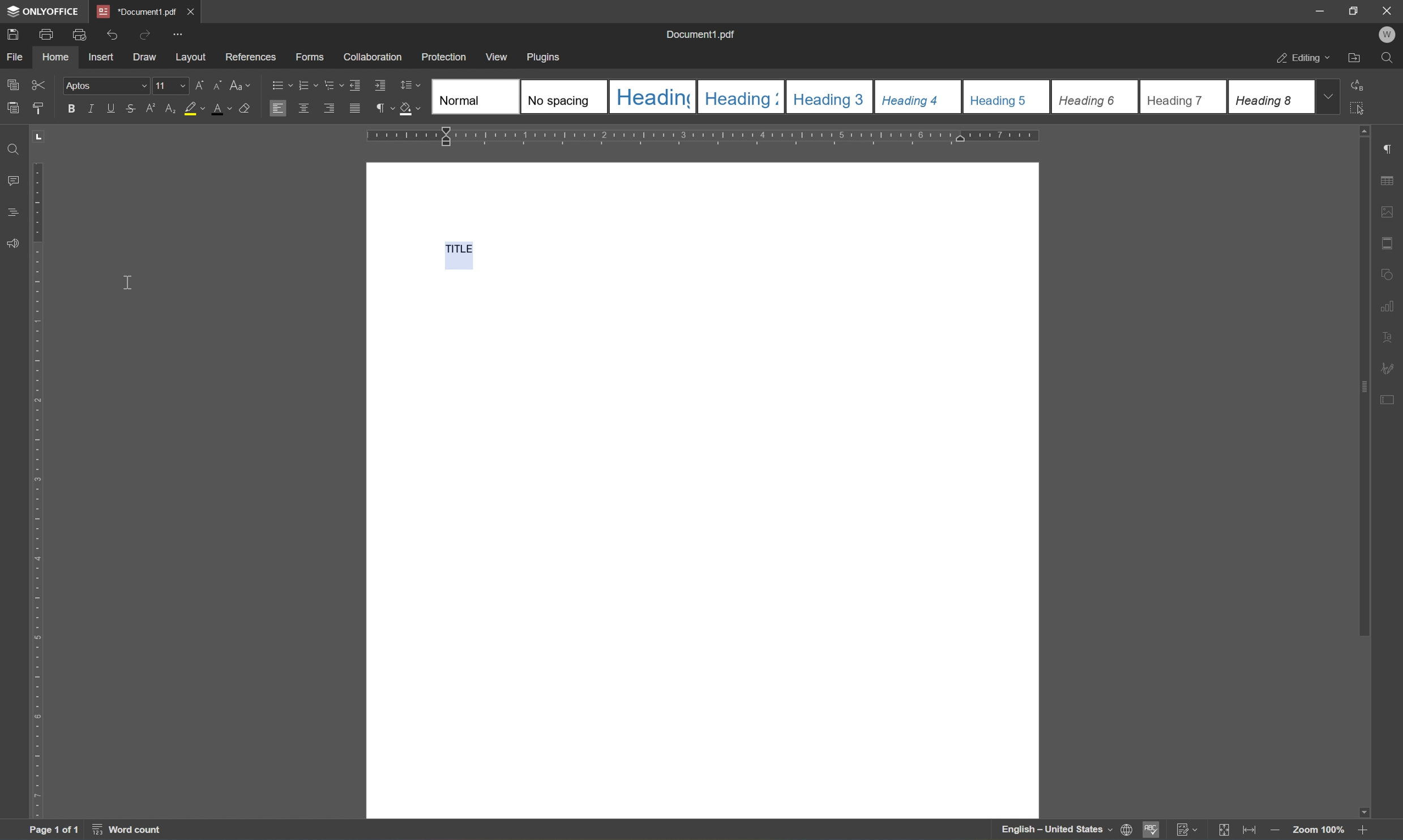 The width and height of the screenshot is (1403, 840). What do you see at coordinates (328, 109) in the screenshot?
I see `Align right` at bounding box center [328, 109].